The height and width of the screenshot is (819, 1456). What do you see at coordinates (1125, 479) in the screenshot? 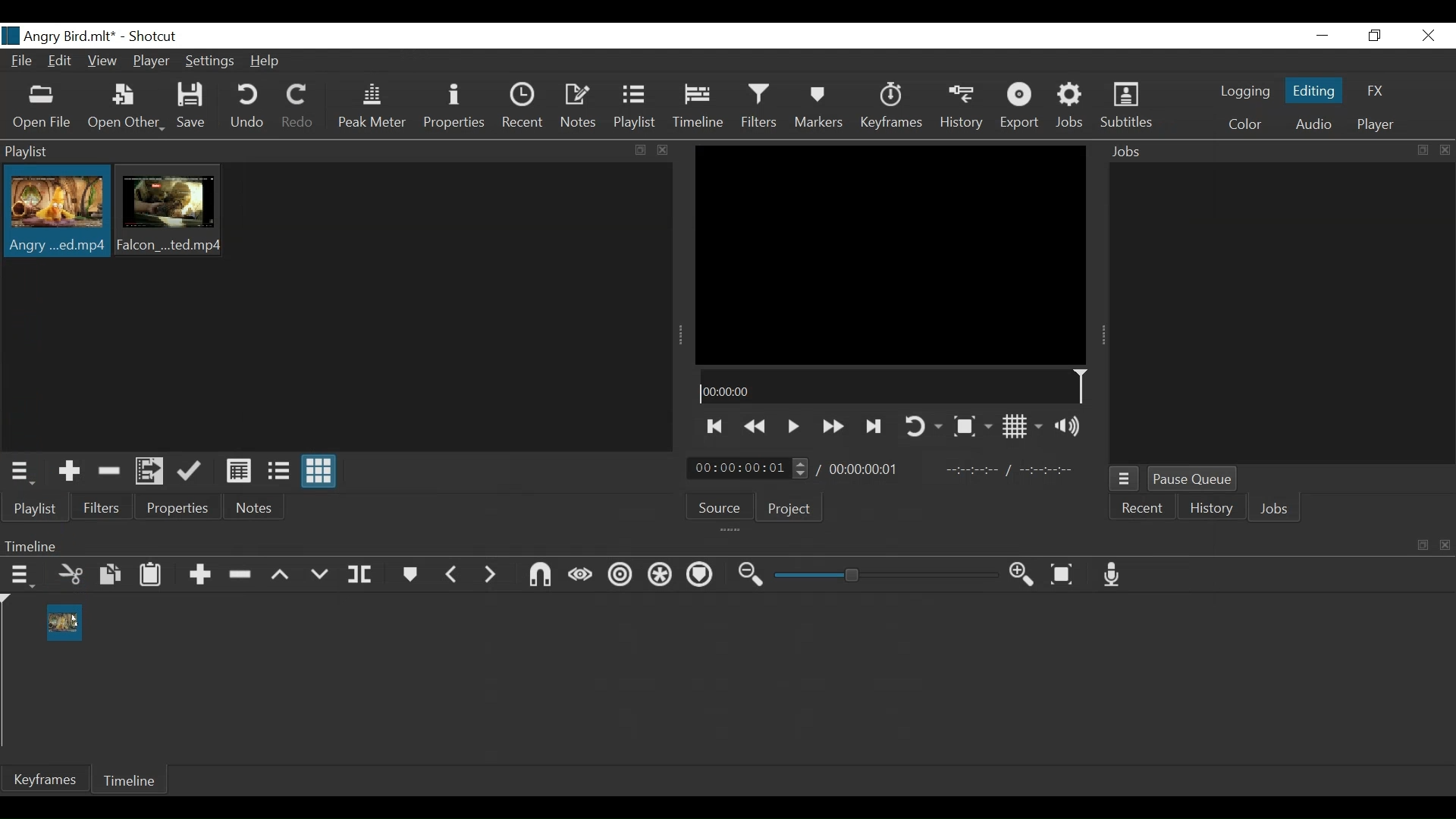
I see `Jobs Queue` at bounding box center [1125, 479].